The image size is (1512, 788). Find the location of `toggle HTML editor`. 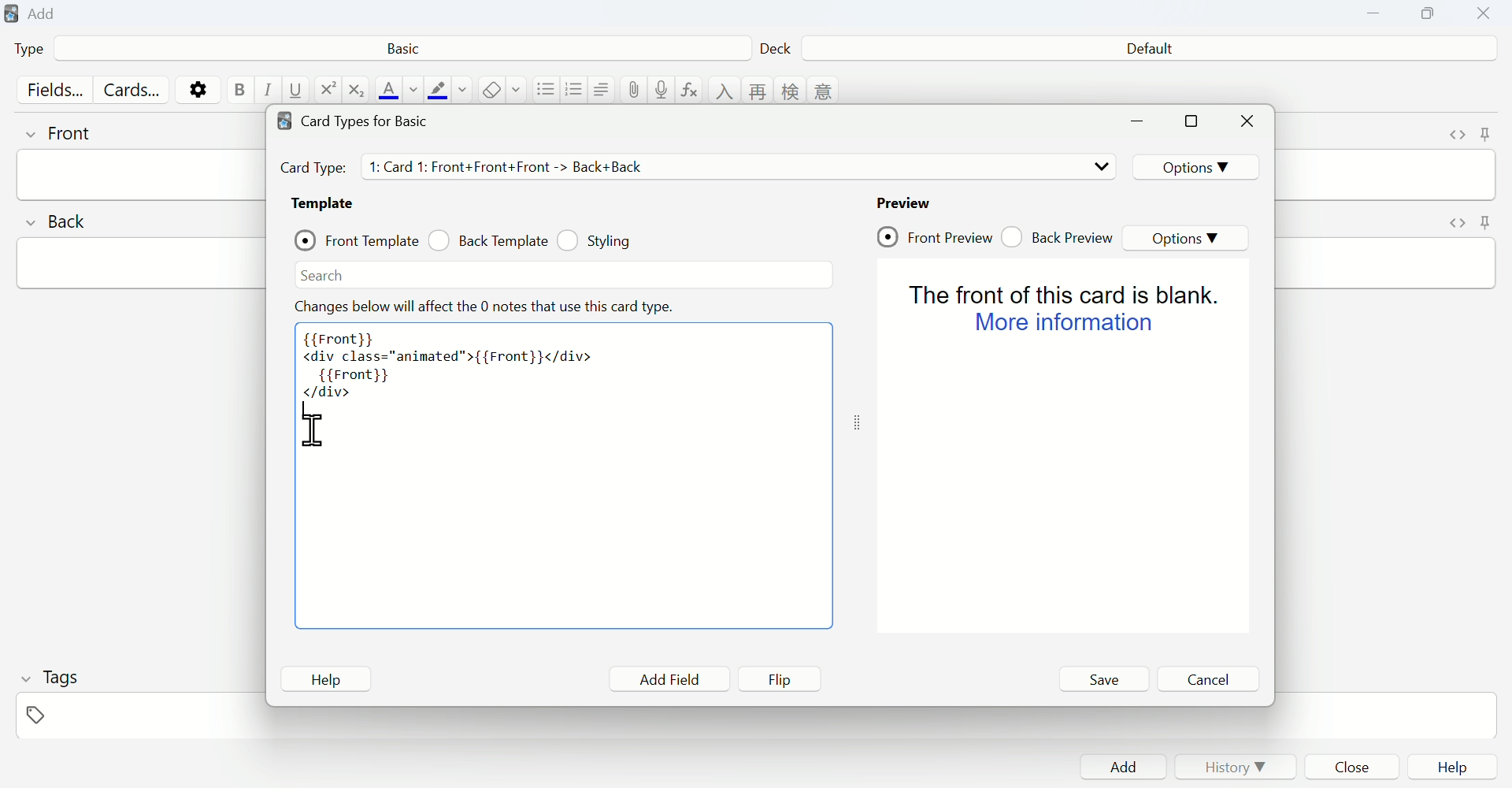

toggle HTML editor is located at coordinates (1458, 134).